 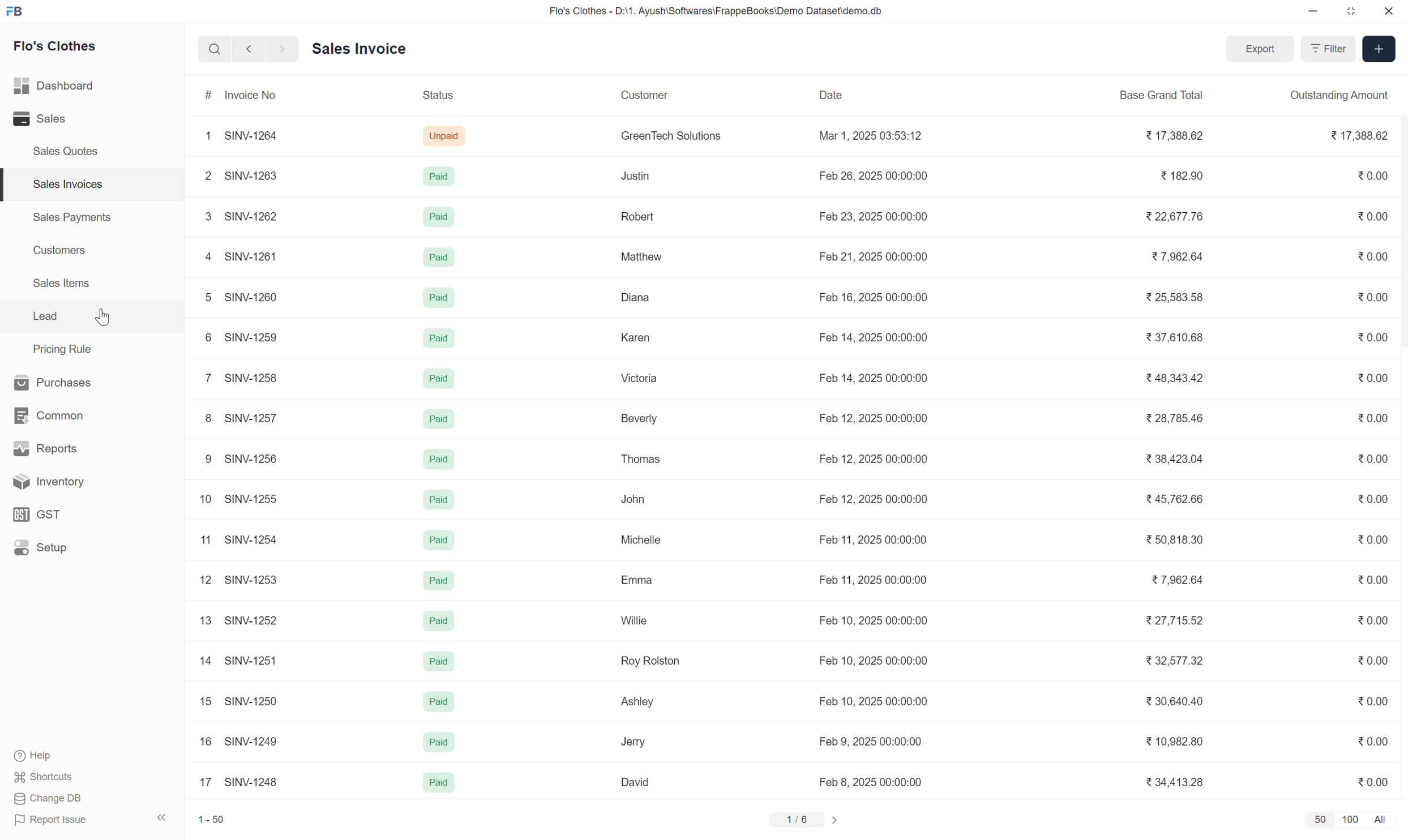 I want to click on 8, so click(x=206, y=419).